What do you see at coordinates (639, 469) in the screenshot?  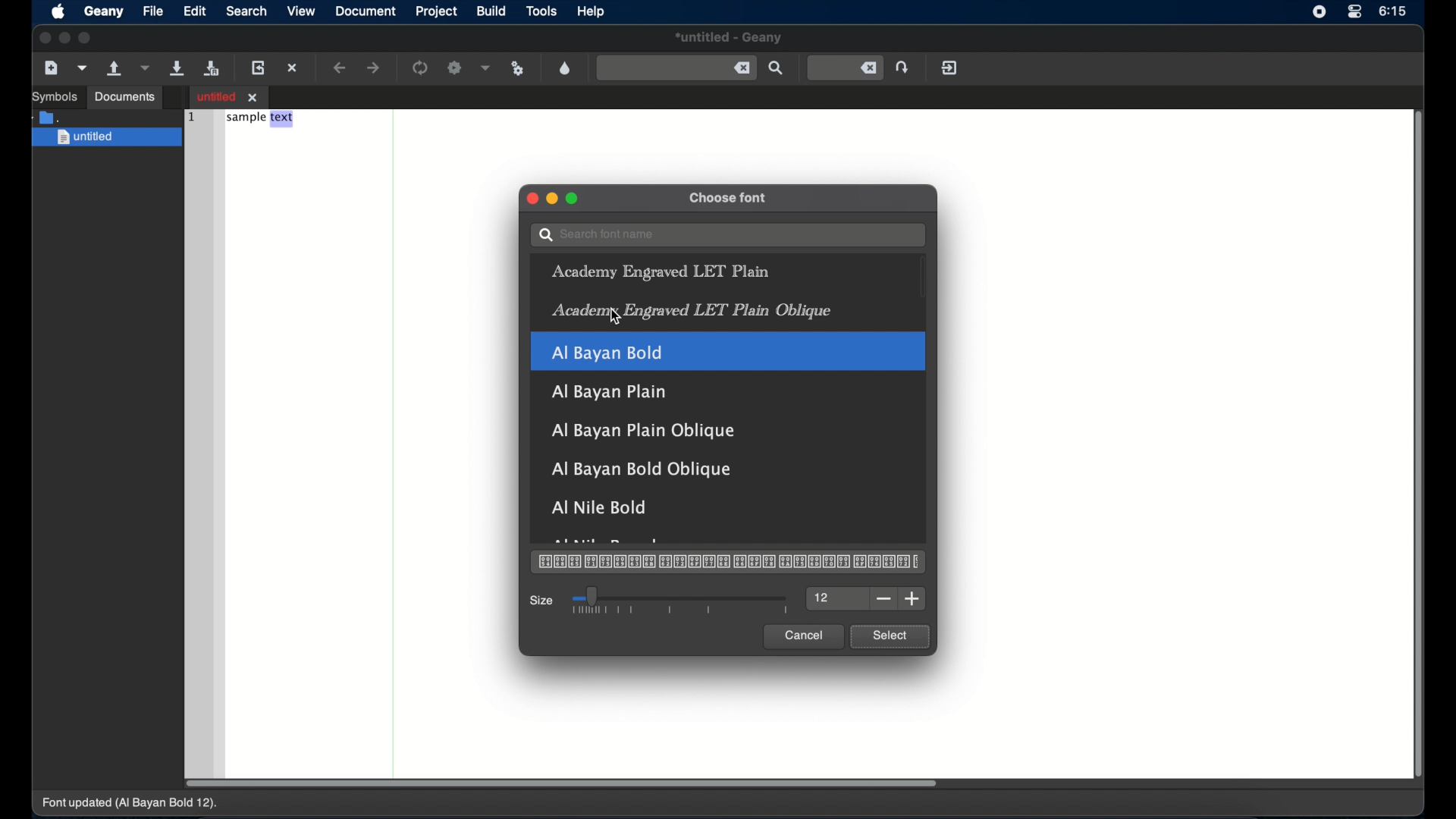 I see `al bayan bol oblique` at bounding box center [639, 469].